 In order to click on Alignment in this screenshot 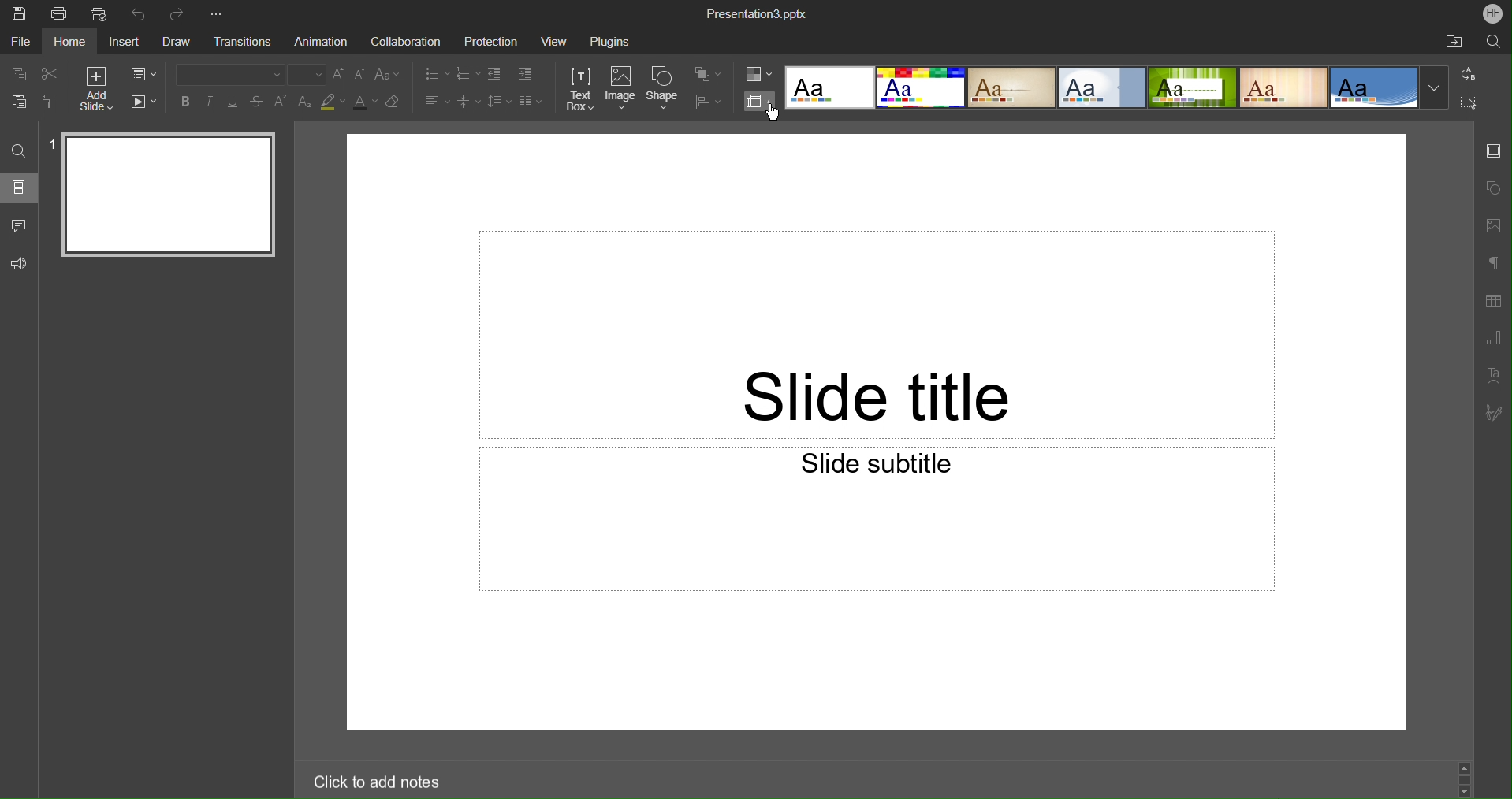, I will do `click(436, 101)`.